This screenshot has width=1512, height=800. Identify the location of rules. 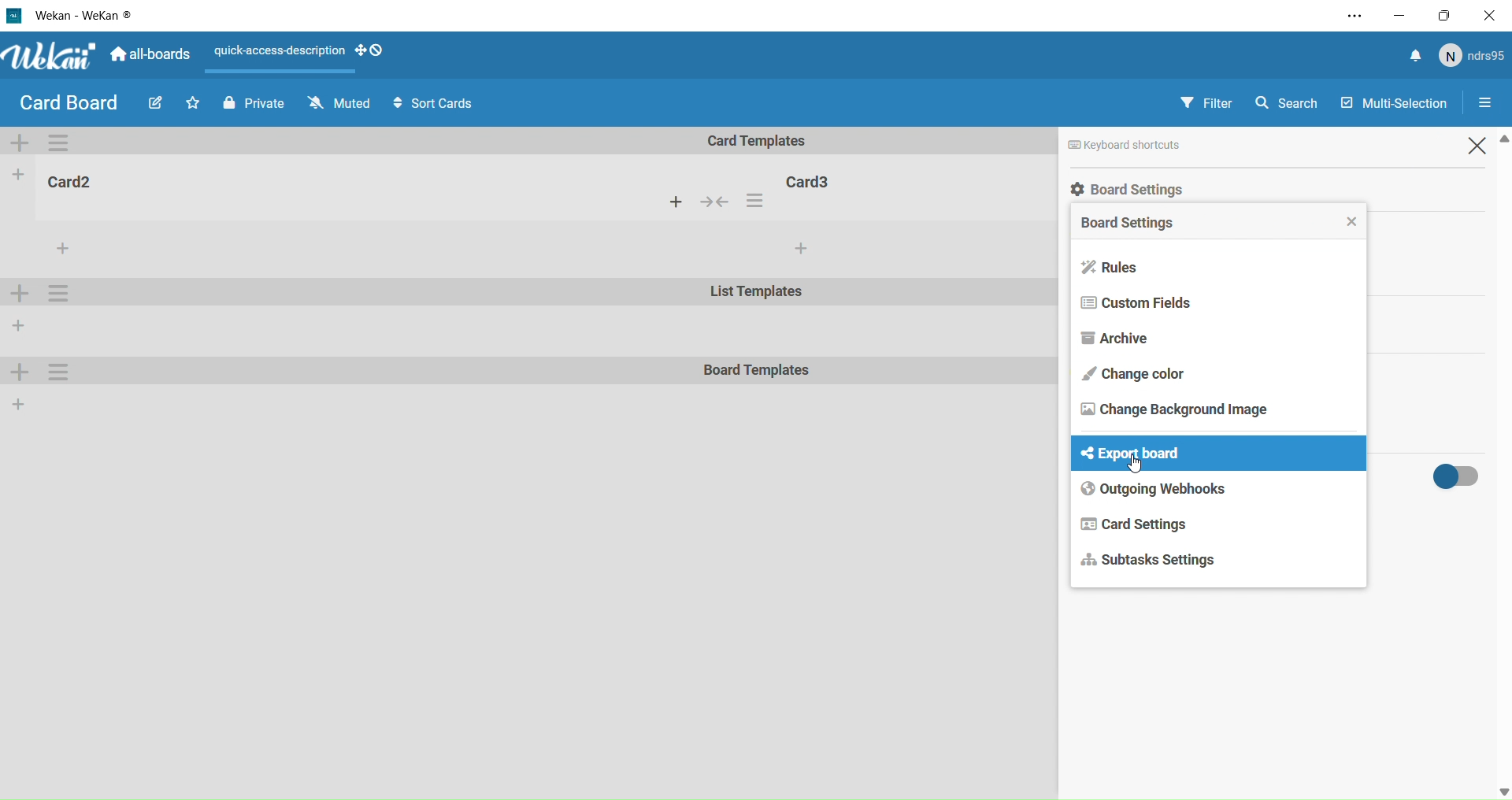
(1120, 267).